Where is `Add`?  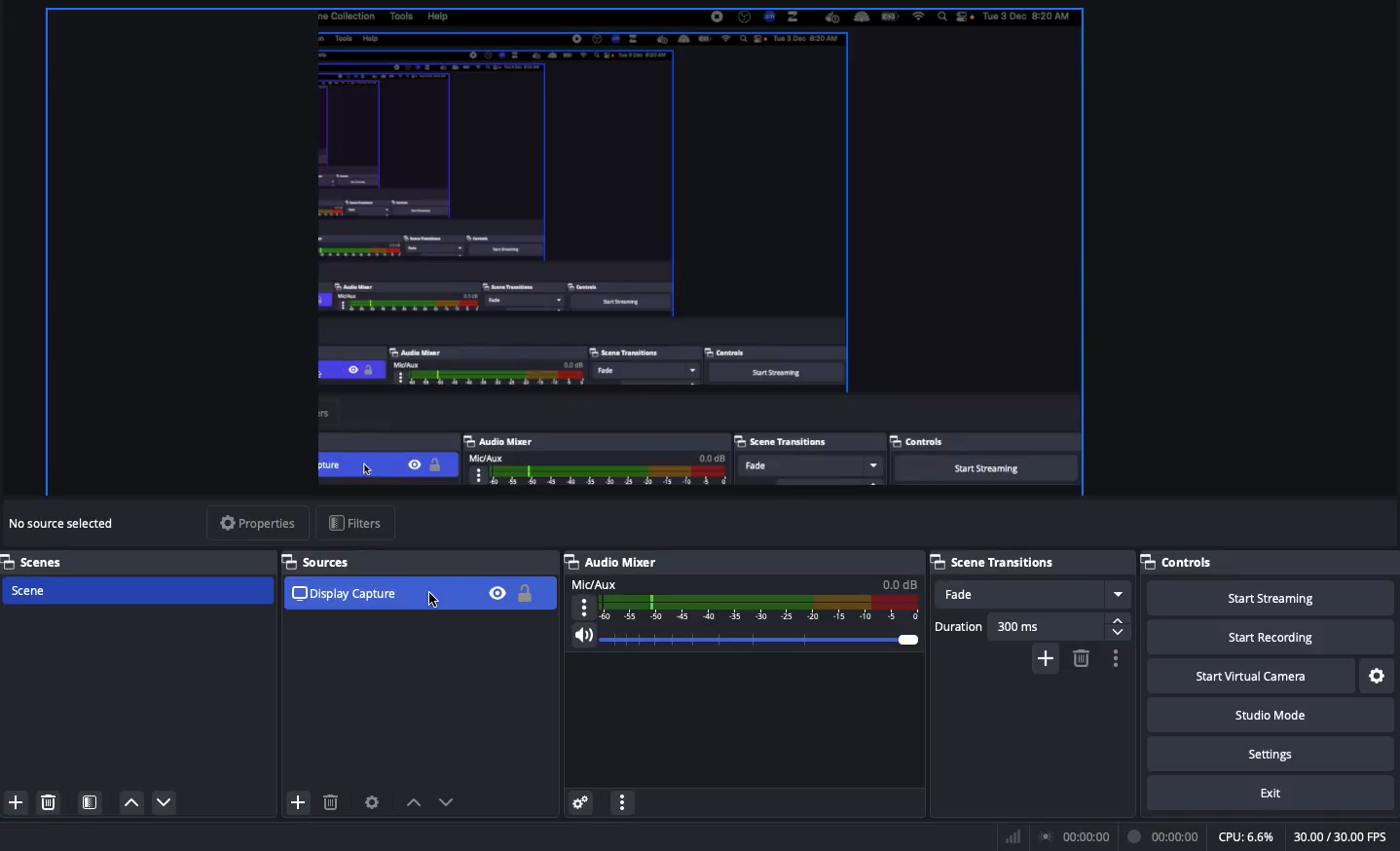 Add is located at coordinates (18, 803).